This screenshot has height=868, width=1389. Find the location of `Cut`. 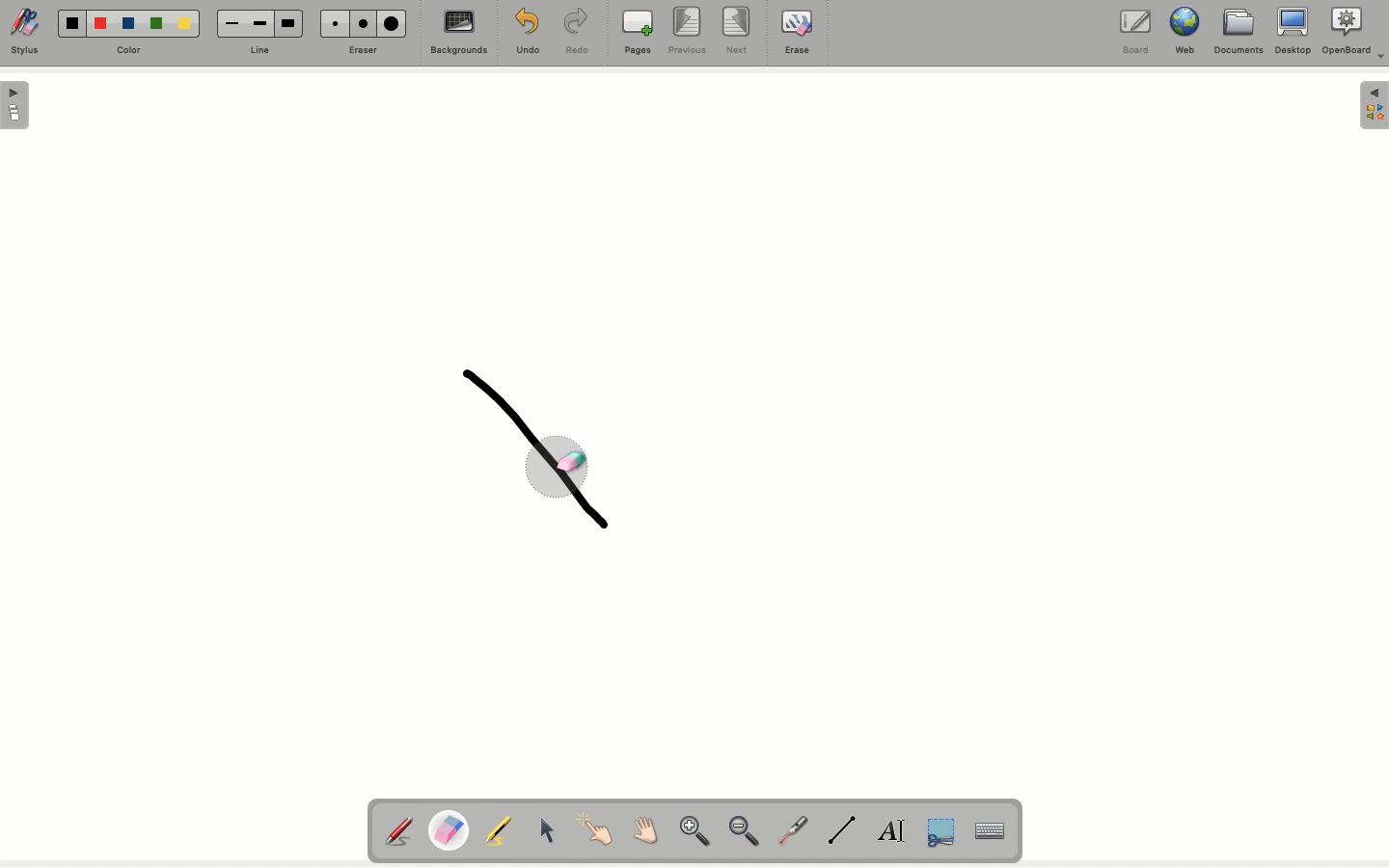

Cut is located at coordinates (940, 833).